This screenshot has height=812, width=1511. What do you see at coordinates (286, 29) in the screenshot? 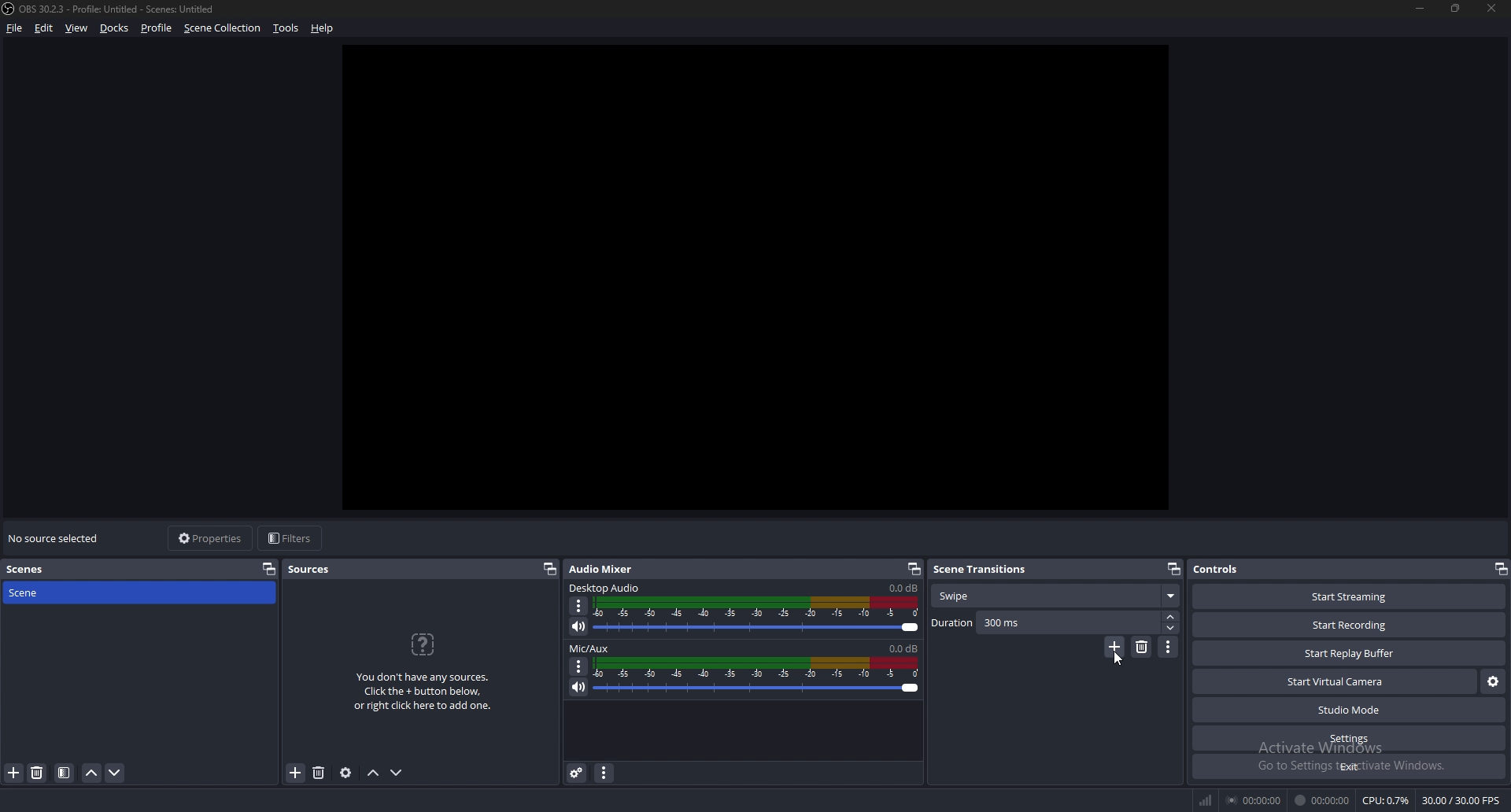
I see `tools` at bounding box center [286, 29].